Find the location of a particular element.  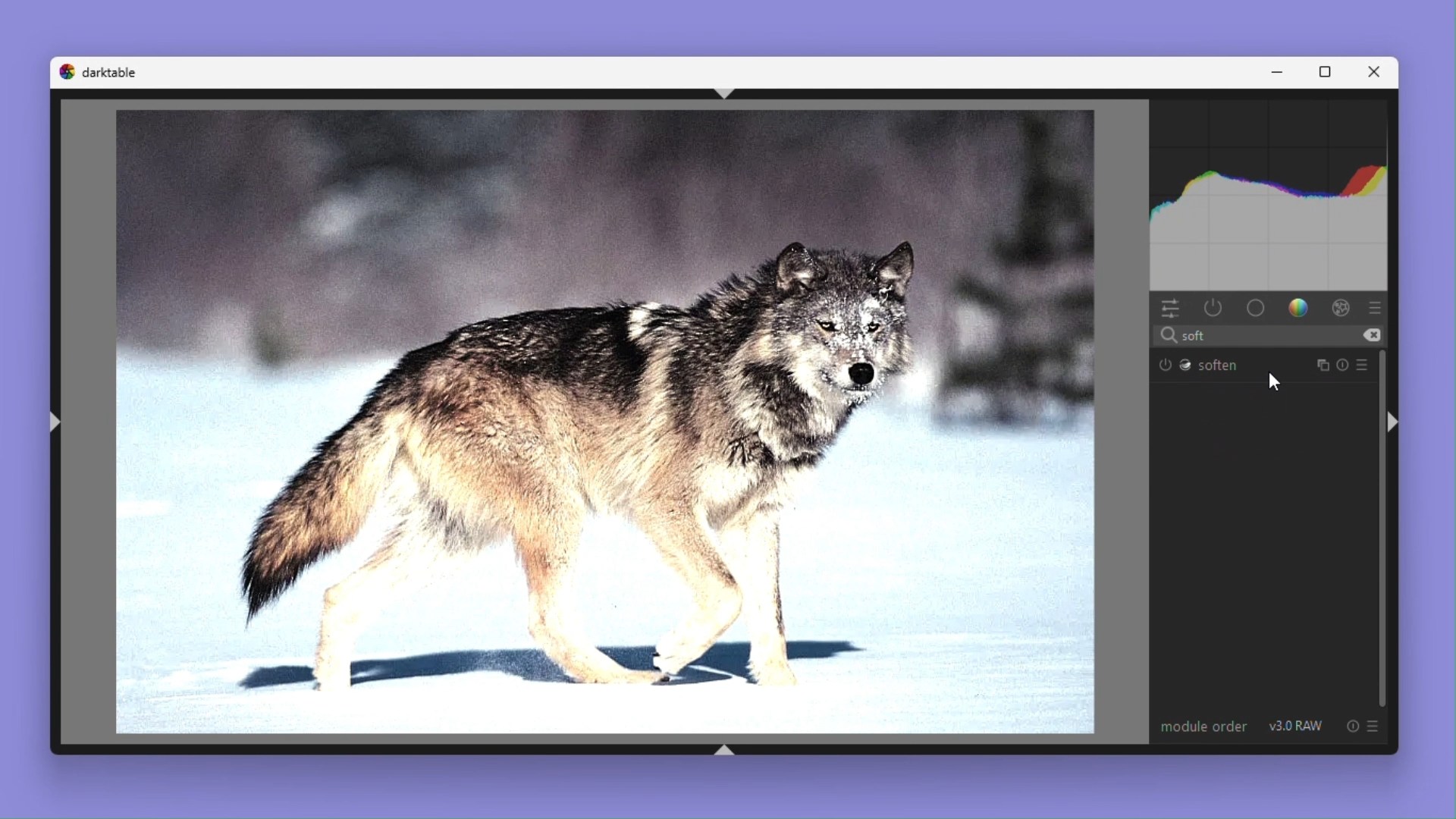

Maximize is located at coordinates (1329, 71).